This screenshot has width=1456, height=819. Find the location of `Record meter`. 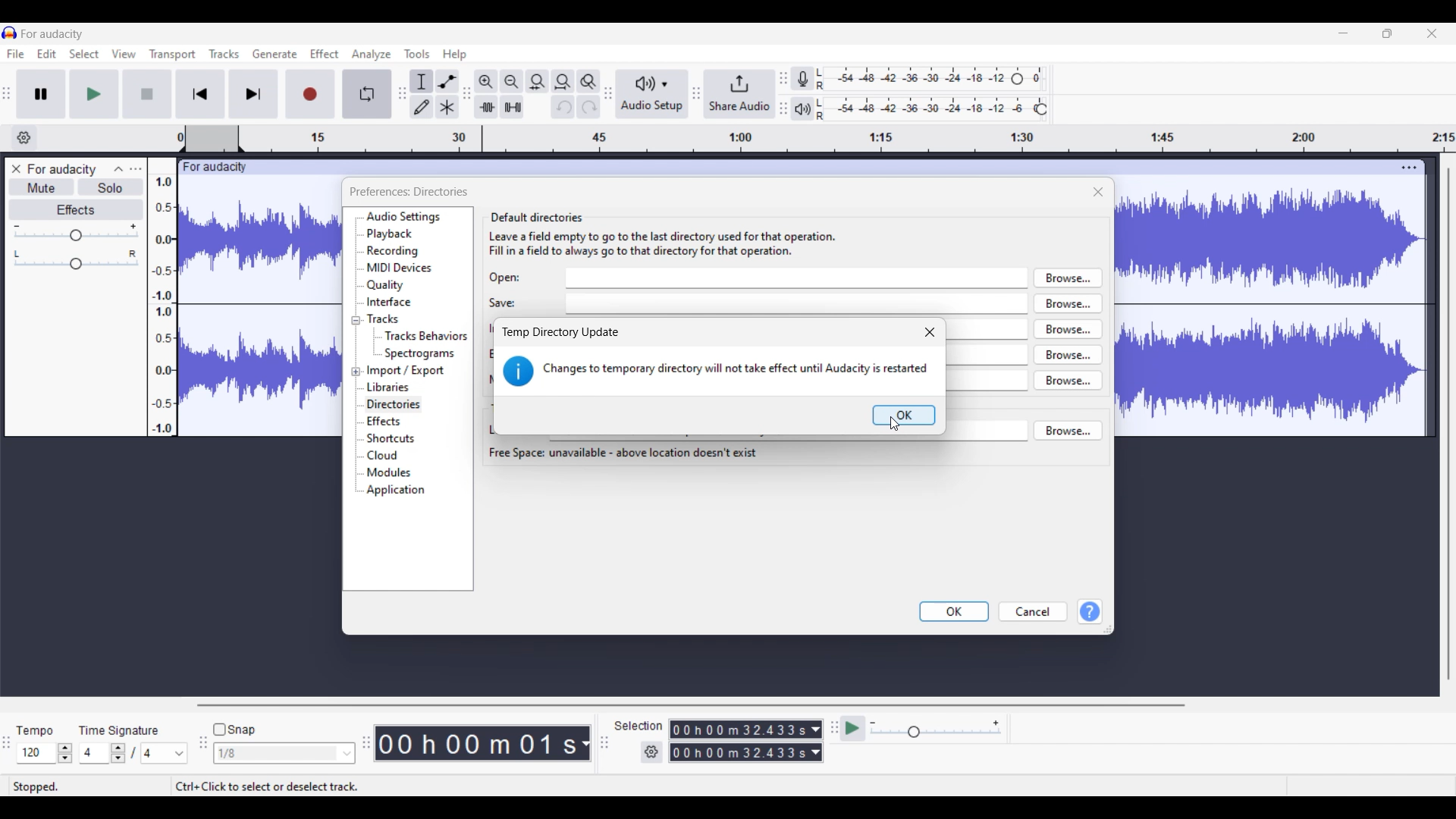

Record meter is located at coordinates (802, 78).